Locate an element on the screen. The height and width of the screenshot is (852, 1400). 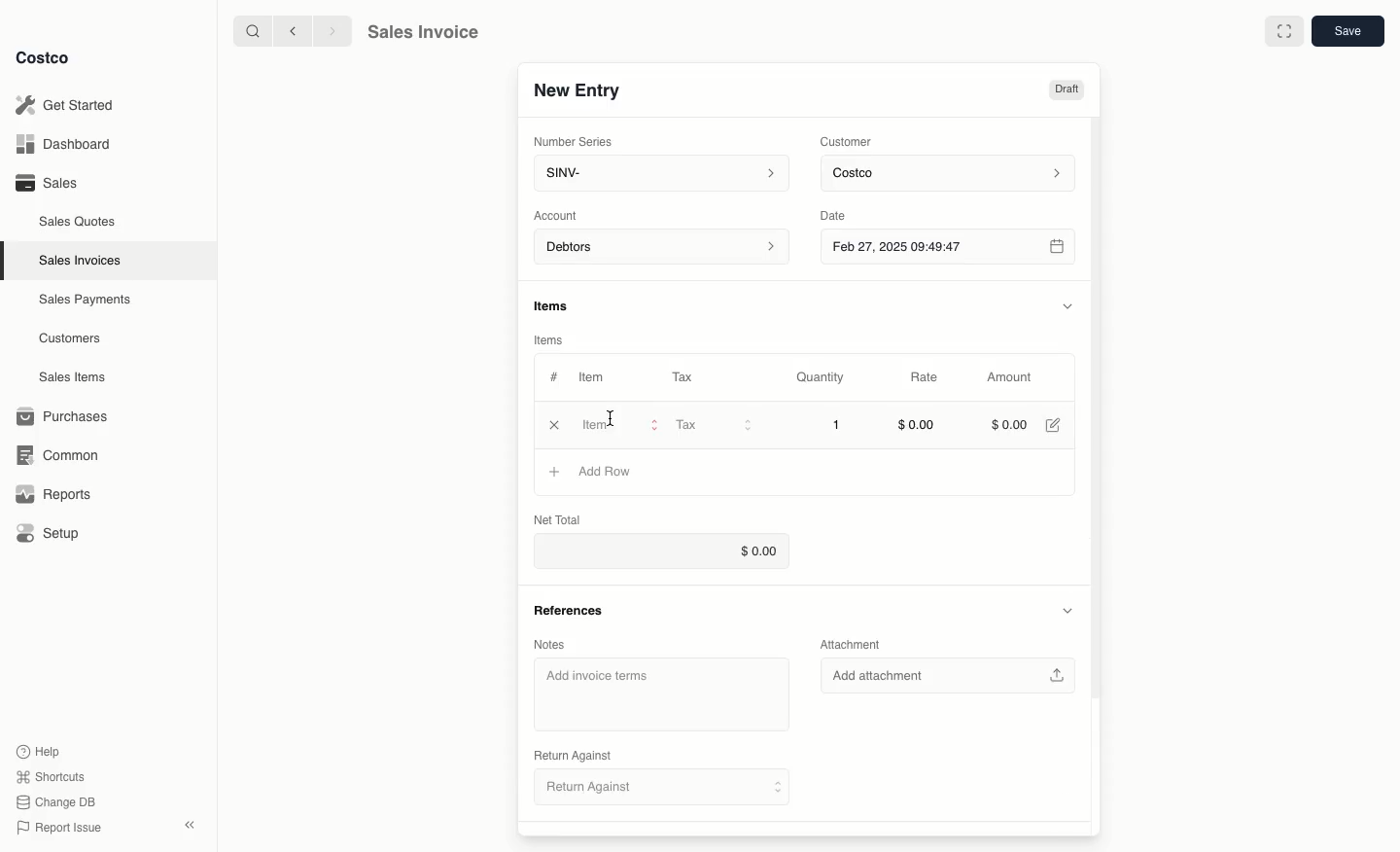
SINV- is located at coordinates (657, 175).